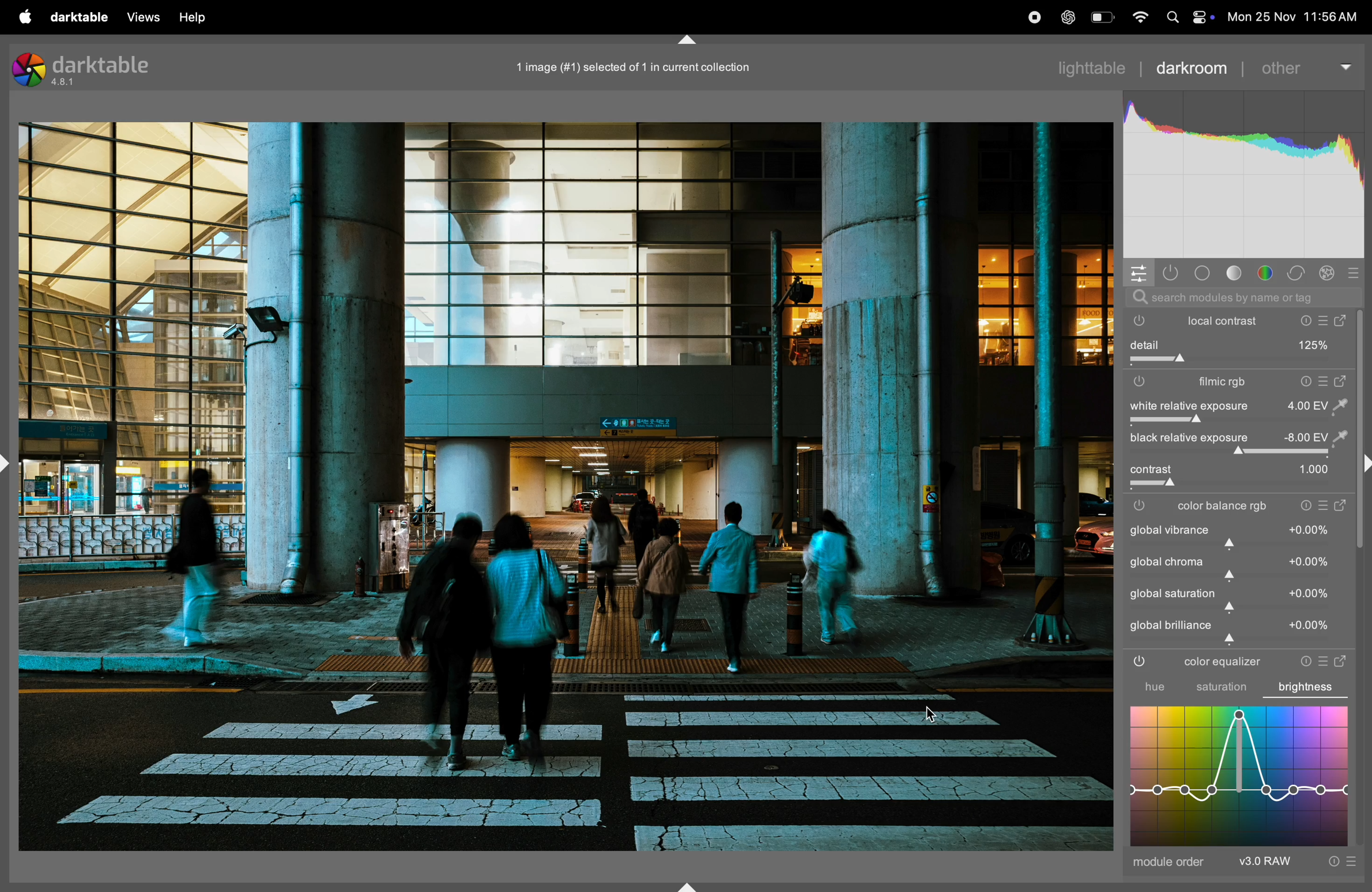 This screenshot has width=1372, height=892. I want to click on reset parameters, so click(1305, 507).